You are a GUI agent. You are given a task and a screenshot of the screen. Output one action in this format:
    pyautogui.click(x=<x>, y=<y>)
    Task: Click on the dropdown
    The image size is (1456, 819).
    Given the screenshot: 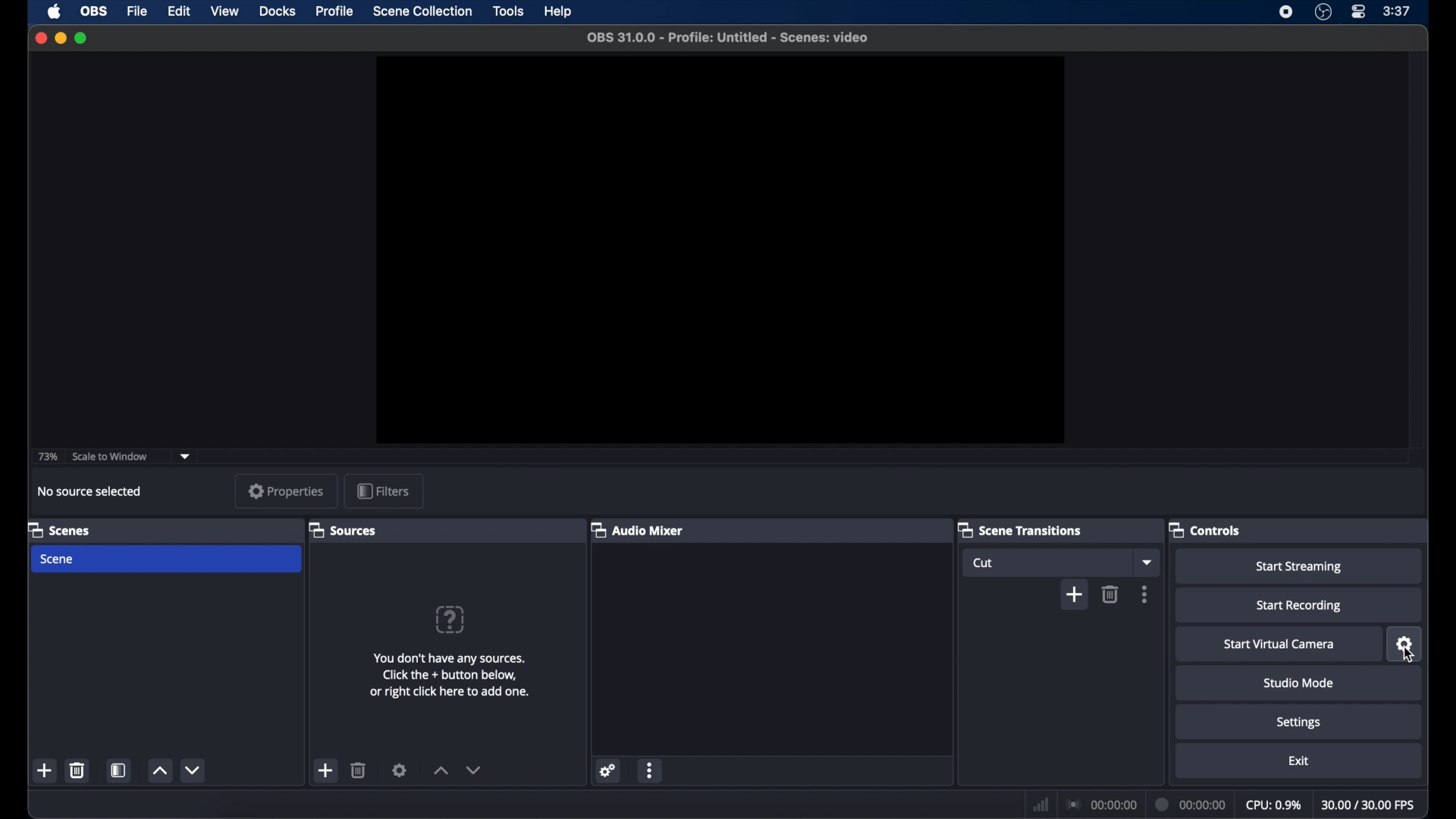 What is the action you would take?
    pyautogui.click(x=1146, y=562)
    